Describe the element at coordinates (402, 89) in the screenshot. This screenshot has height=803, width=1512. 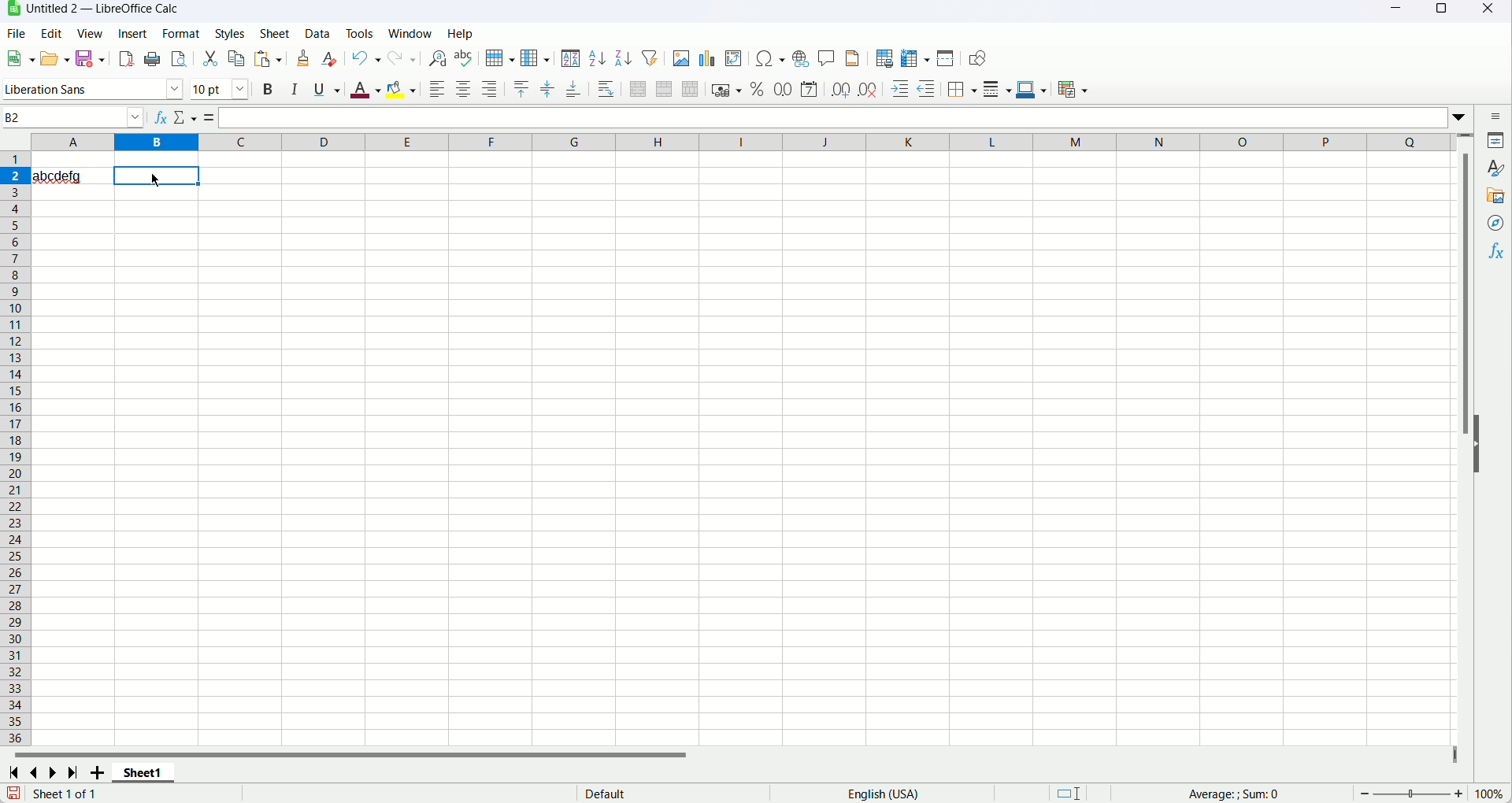
I see `background color` at that location.